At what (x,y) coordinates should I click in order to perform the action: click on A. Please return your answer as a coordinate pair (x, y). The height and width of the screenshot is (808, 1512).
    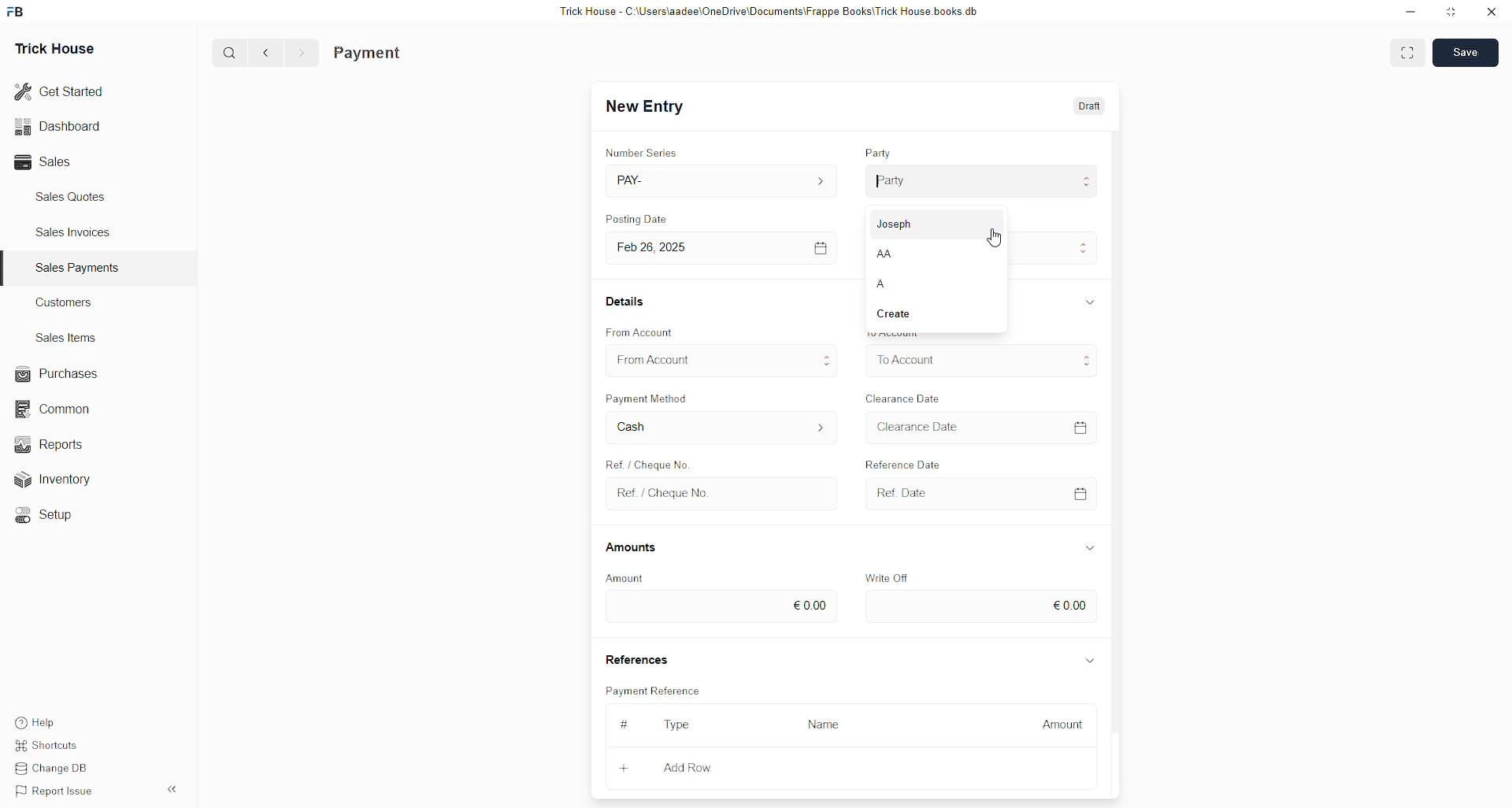
    Looking at the image, I should click on (933, 287).